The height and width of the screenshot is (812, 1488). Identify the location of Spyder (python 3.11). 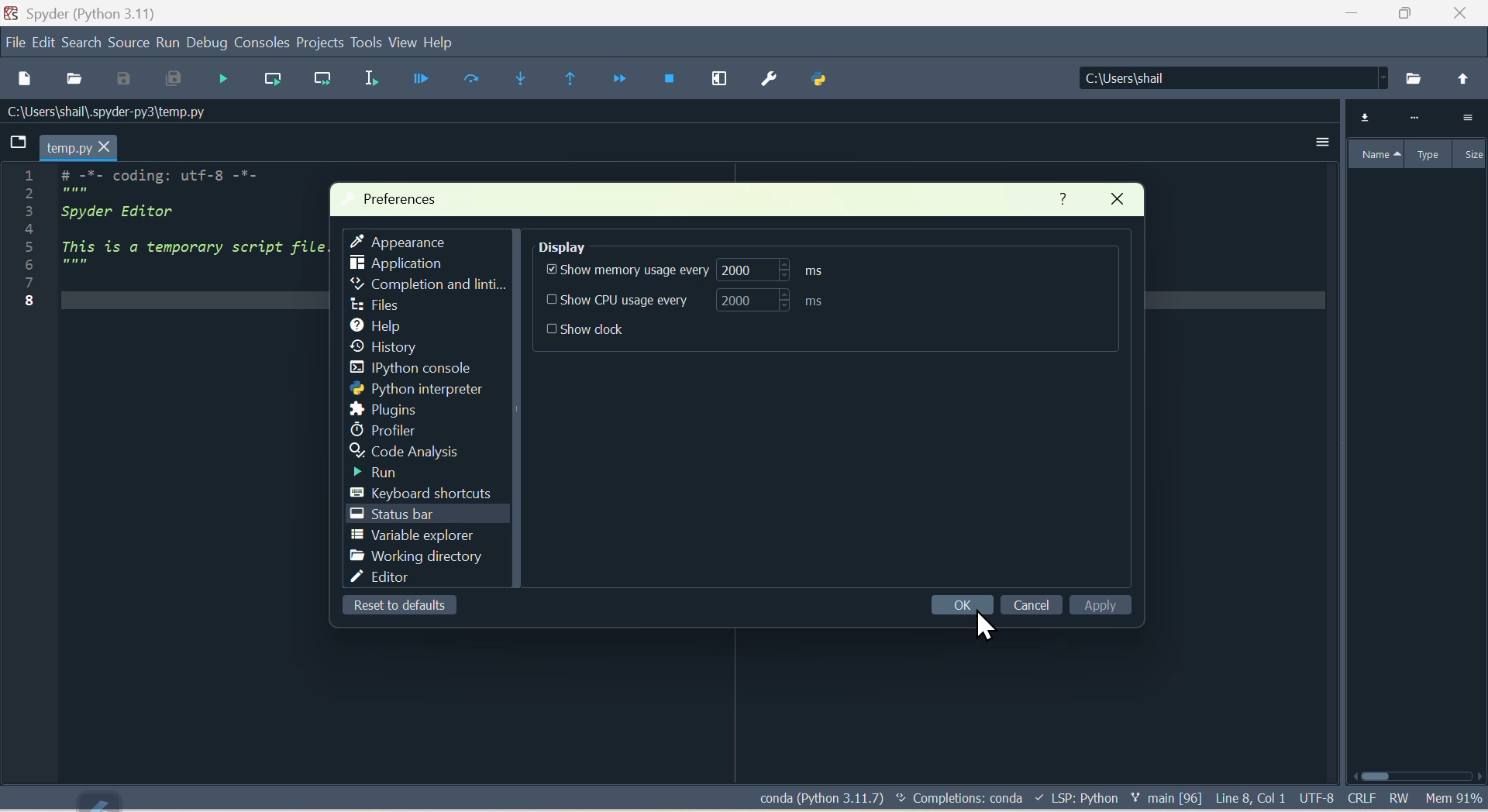
(88, 12).